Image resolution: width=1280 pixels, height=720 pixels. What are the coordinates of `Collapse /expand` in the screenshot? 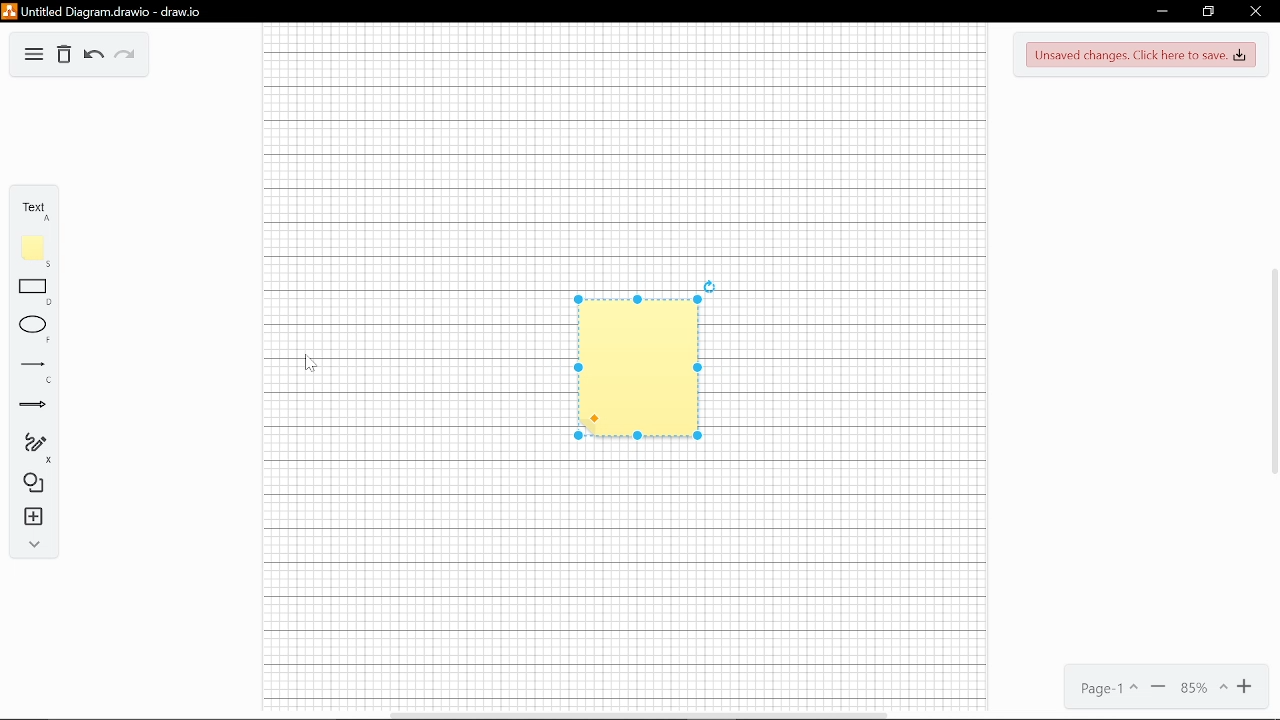 It's located at (35, 545).